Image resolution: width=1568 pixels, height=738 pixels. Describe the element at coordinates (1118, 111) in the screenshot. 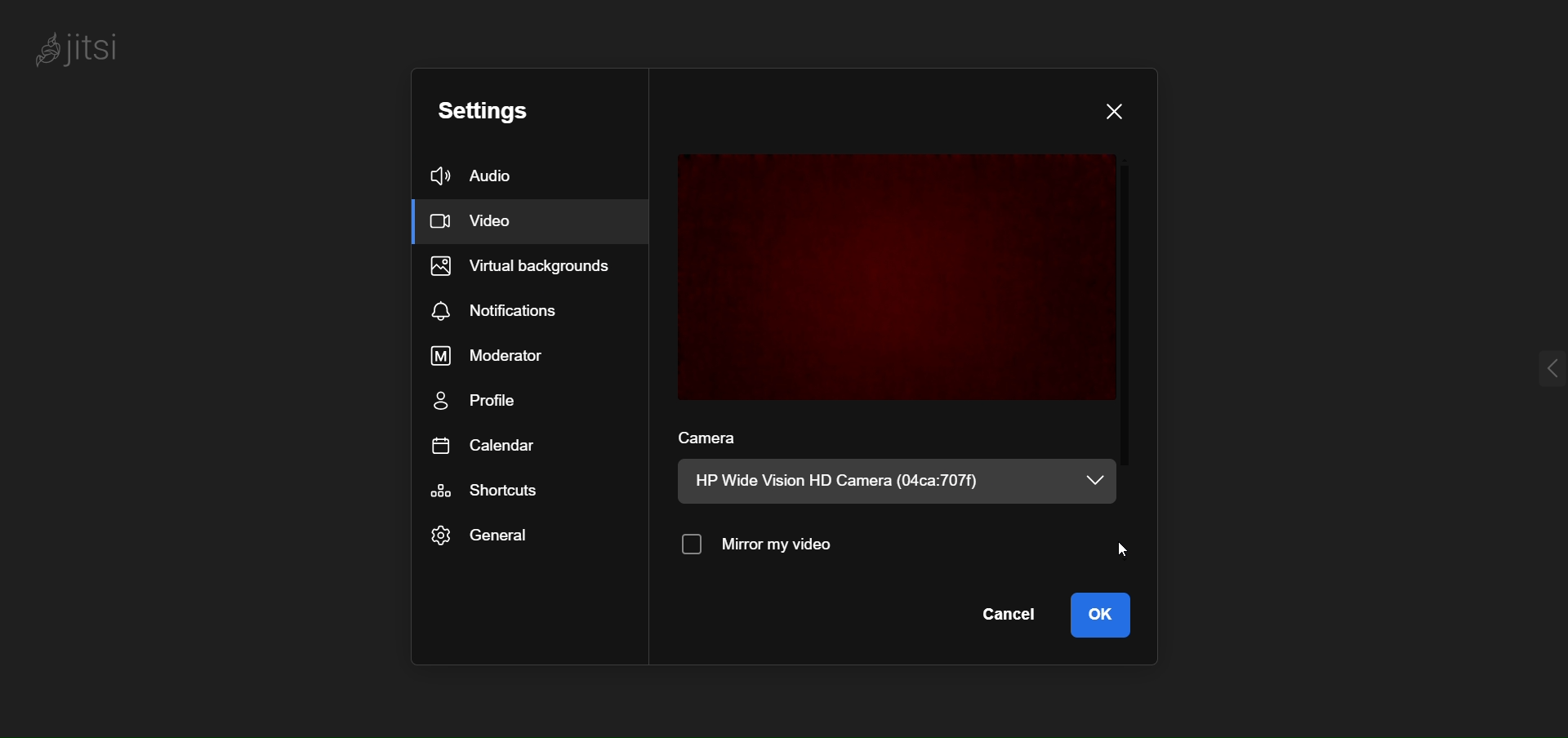

I see `close dialog` at that location.